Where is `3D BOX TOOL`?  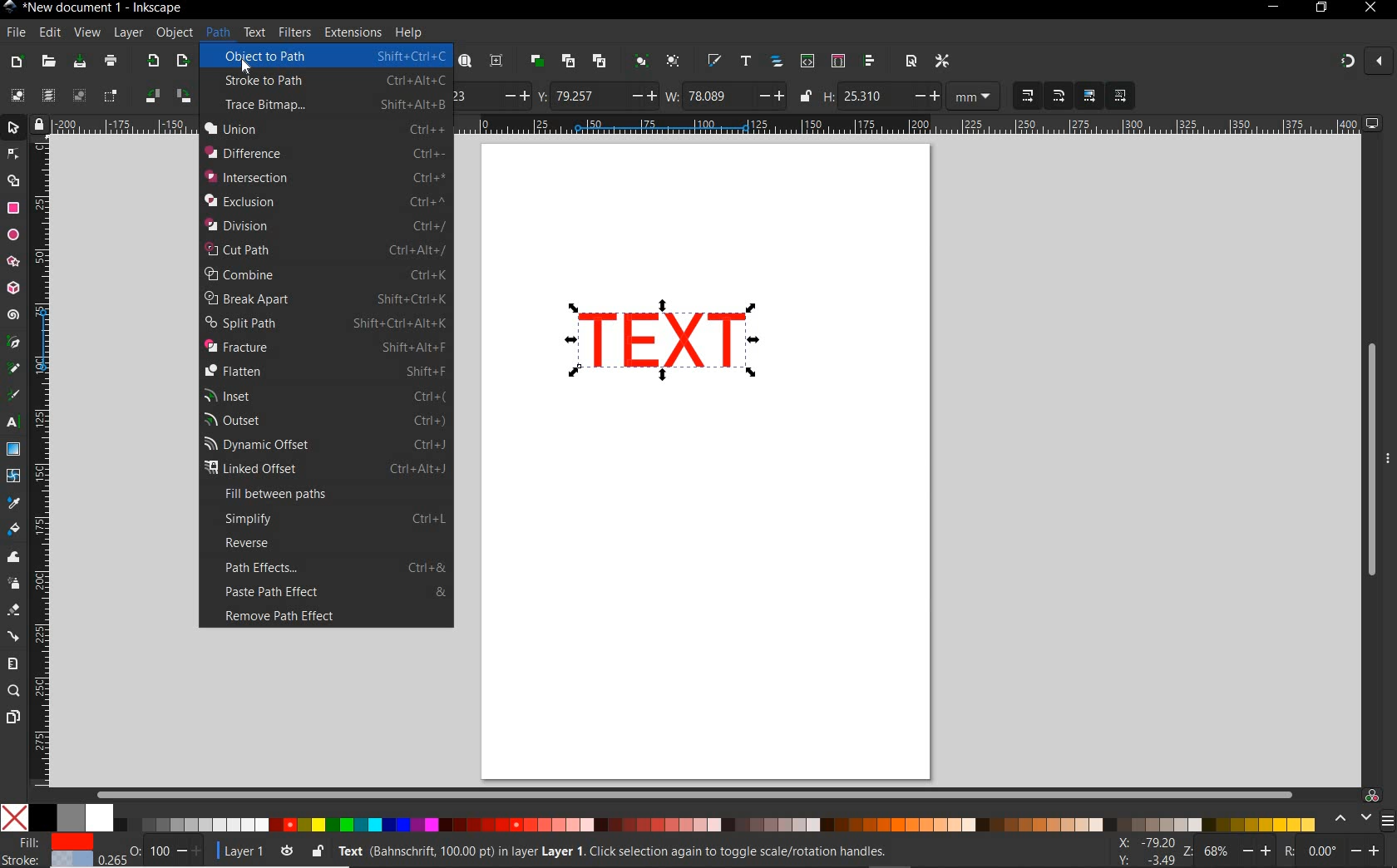 3D BOX TOOL is located at coordinates (12, 289).